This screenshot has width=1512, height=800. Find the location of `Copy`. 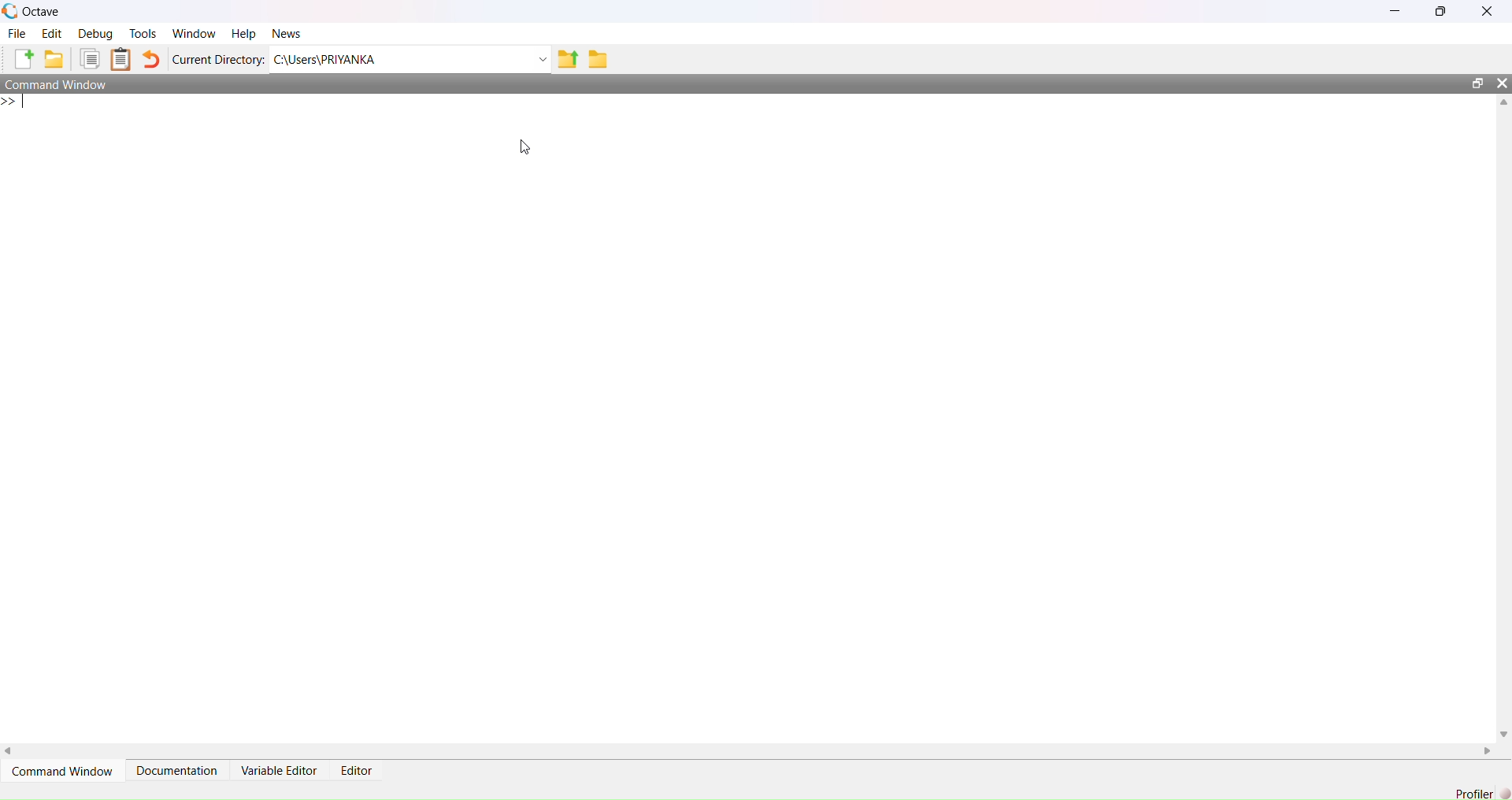

Copy is located at coordinates (91, 61).